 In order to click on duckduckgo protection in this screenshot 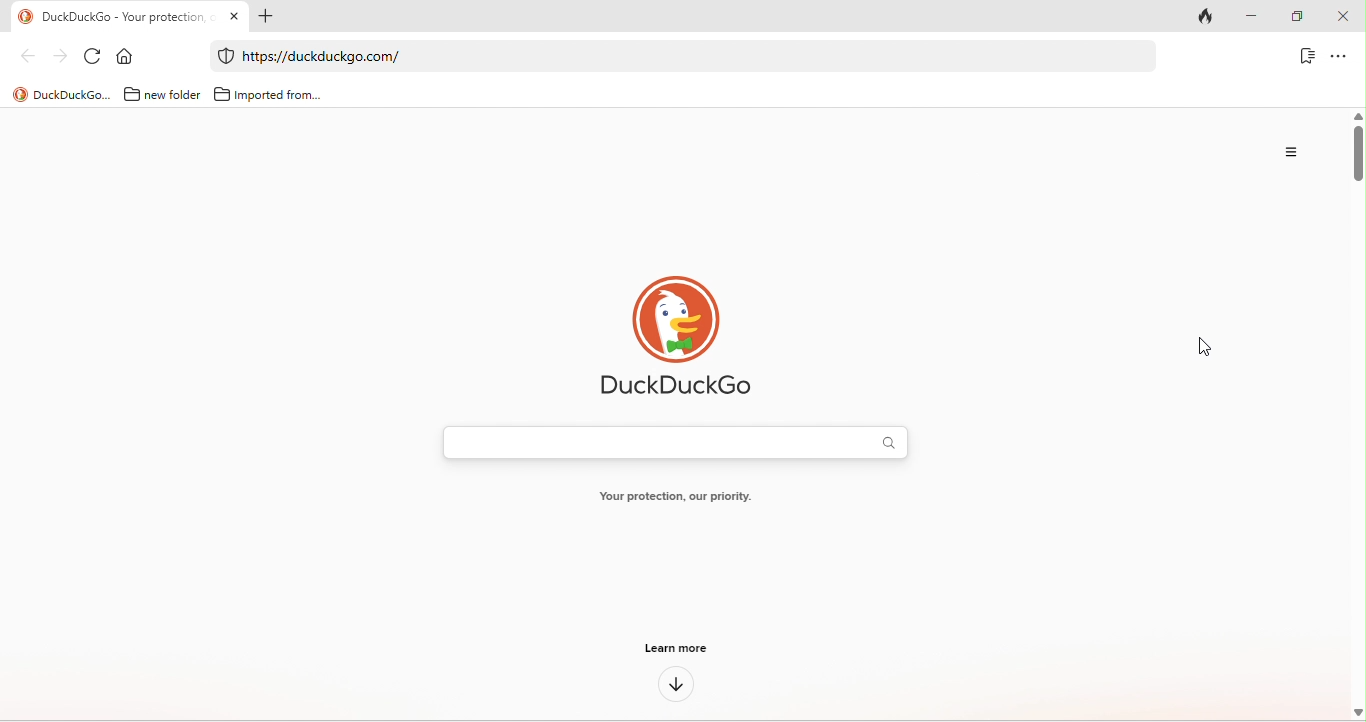, I will do `click(223, 56)`.